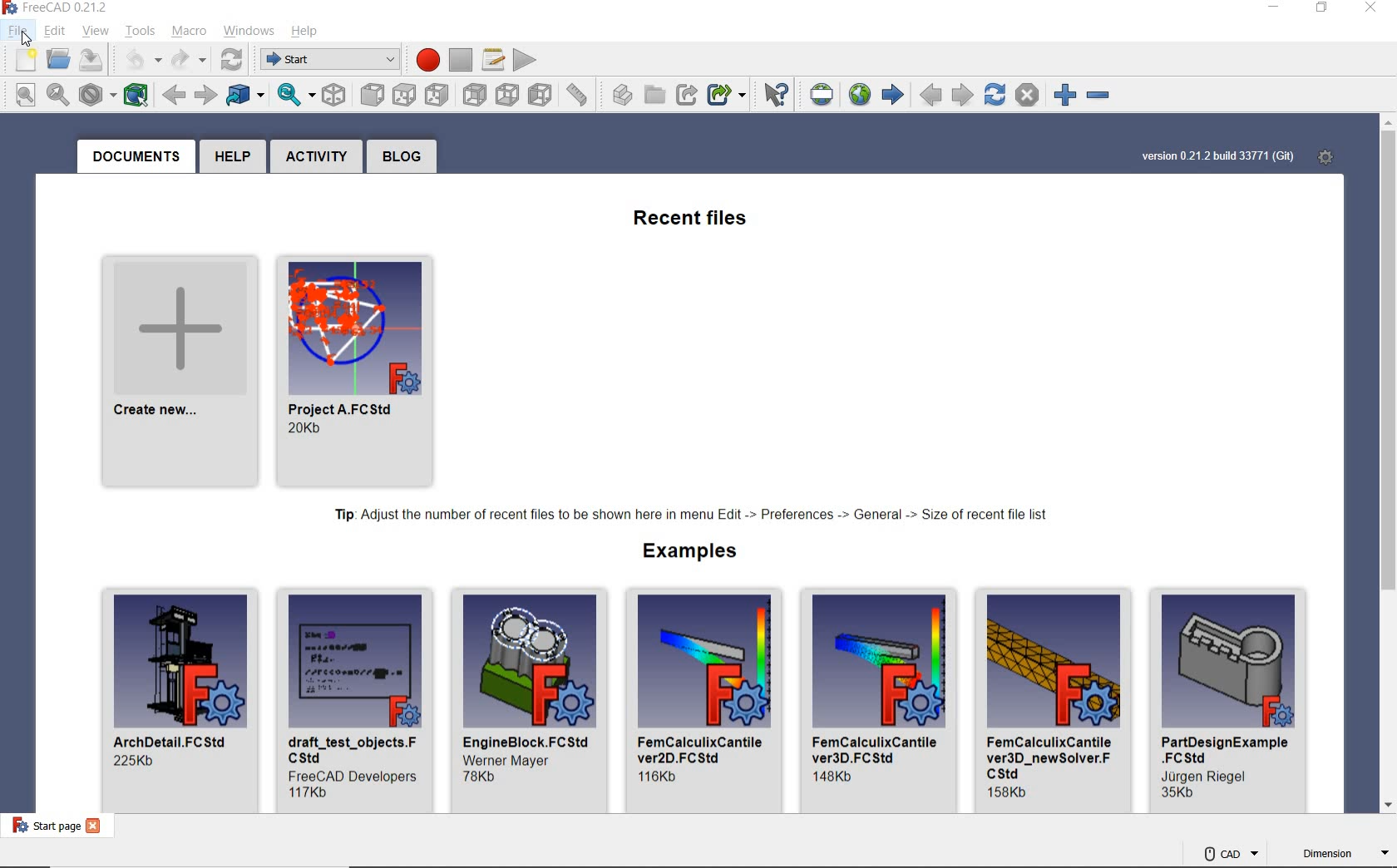  Describe the element at coordinates (705, 660) in the screenshot. I see `image` at that location.